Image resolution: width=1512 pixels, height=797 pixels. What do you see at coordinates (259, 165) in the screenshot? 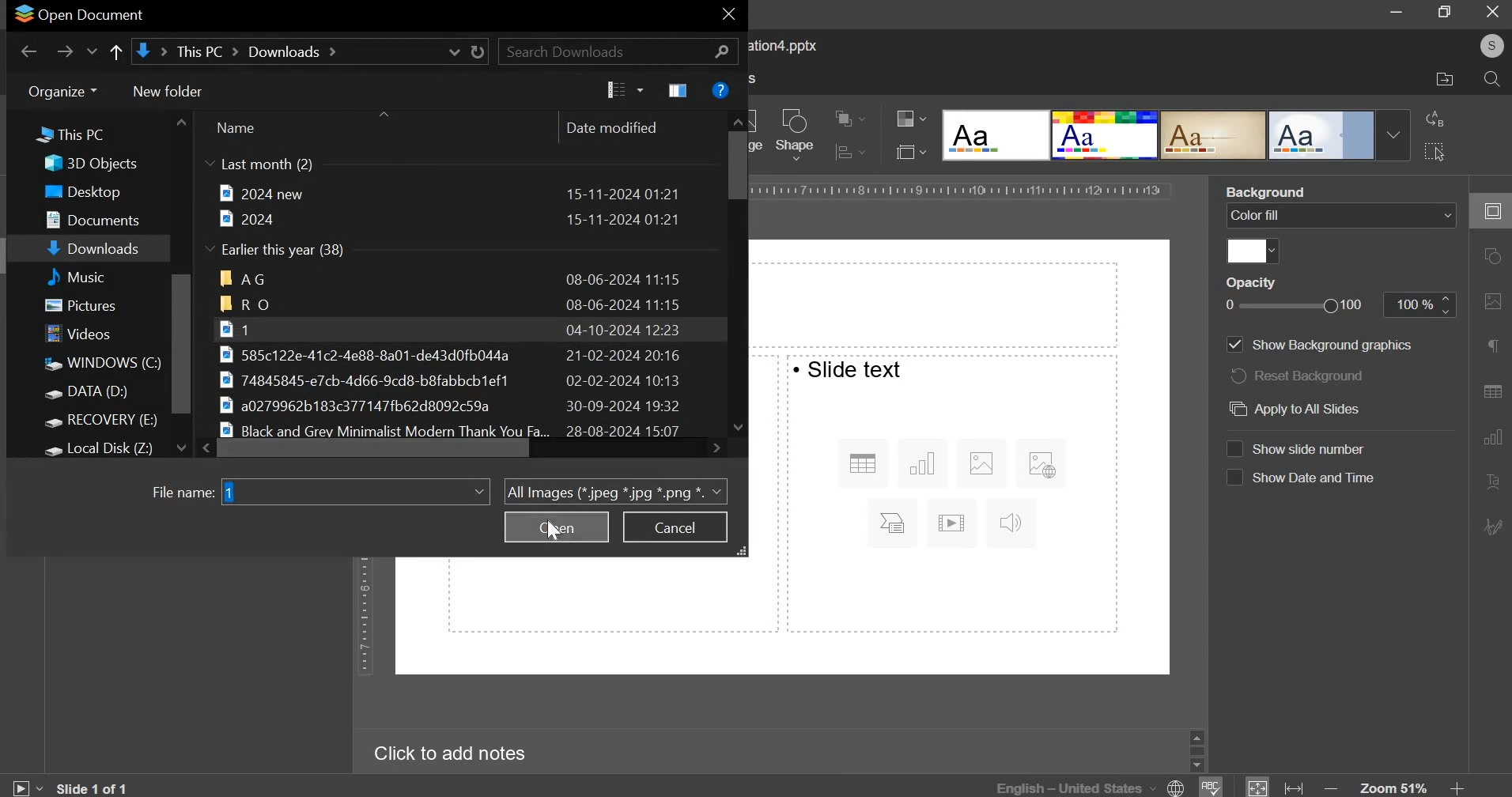
I see `last month` at bounding box center [259, 165].